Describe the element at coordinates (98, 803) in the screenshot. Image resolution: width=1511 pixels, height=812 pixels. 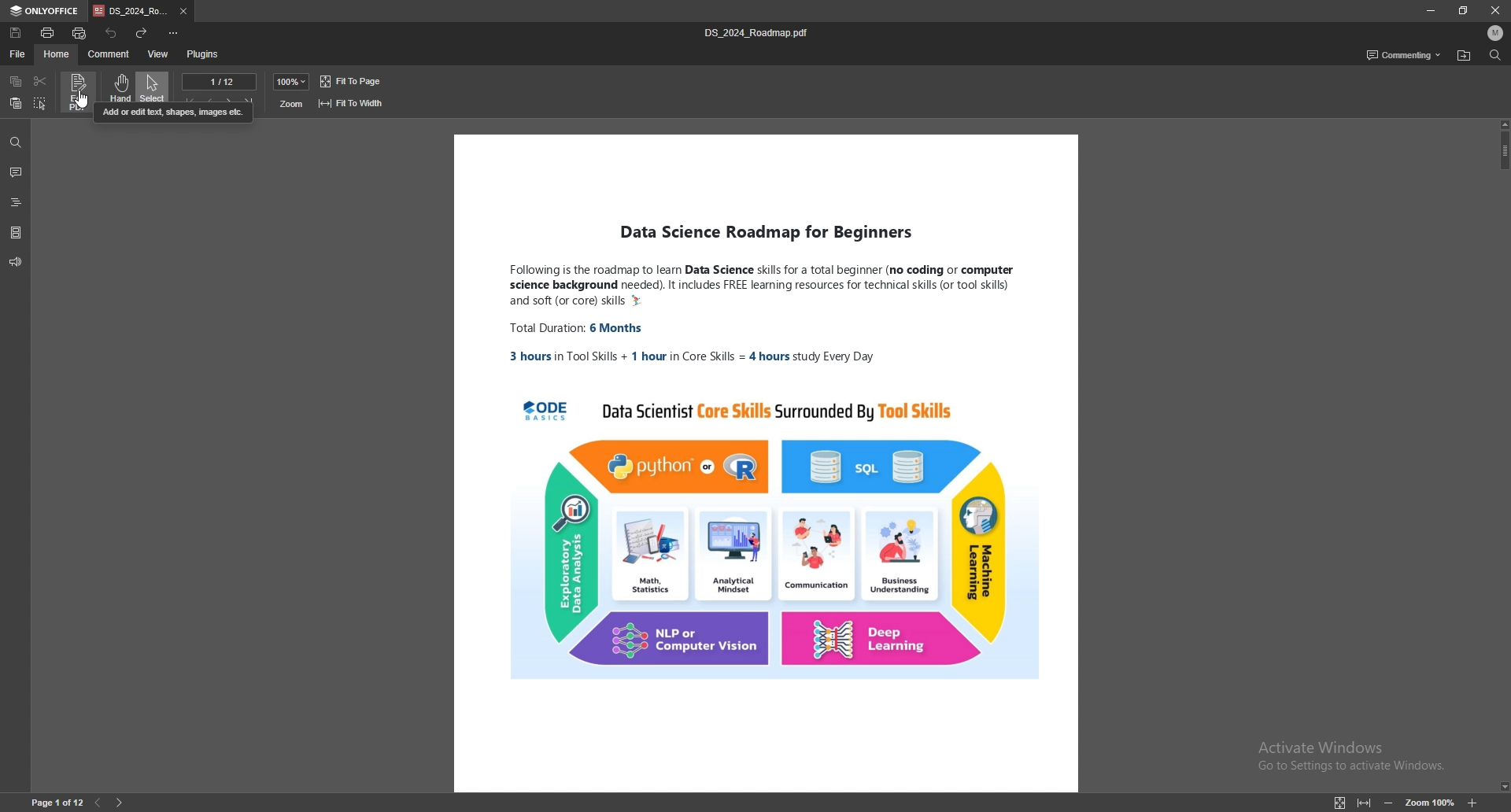
I see `previous page` at that location.